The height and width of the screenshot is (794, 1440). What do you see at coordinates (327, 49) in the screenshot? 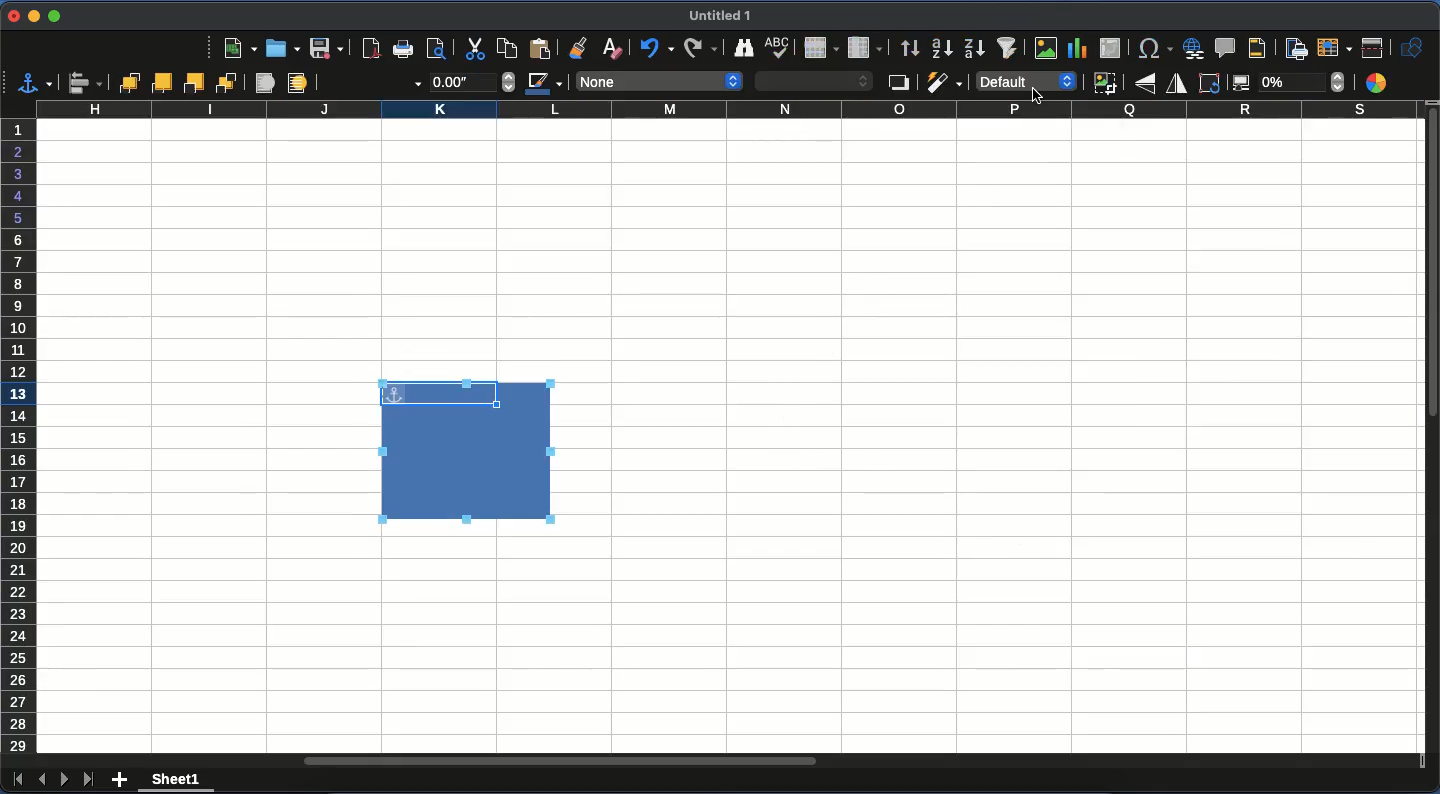
I see `save` at bounding box center [327, 49].